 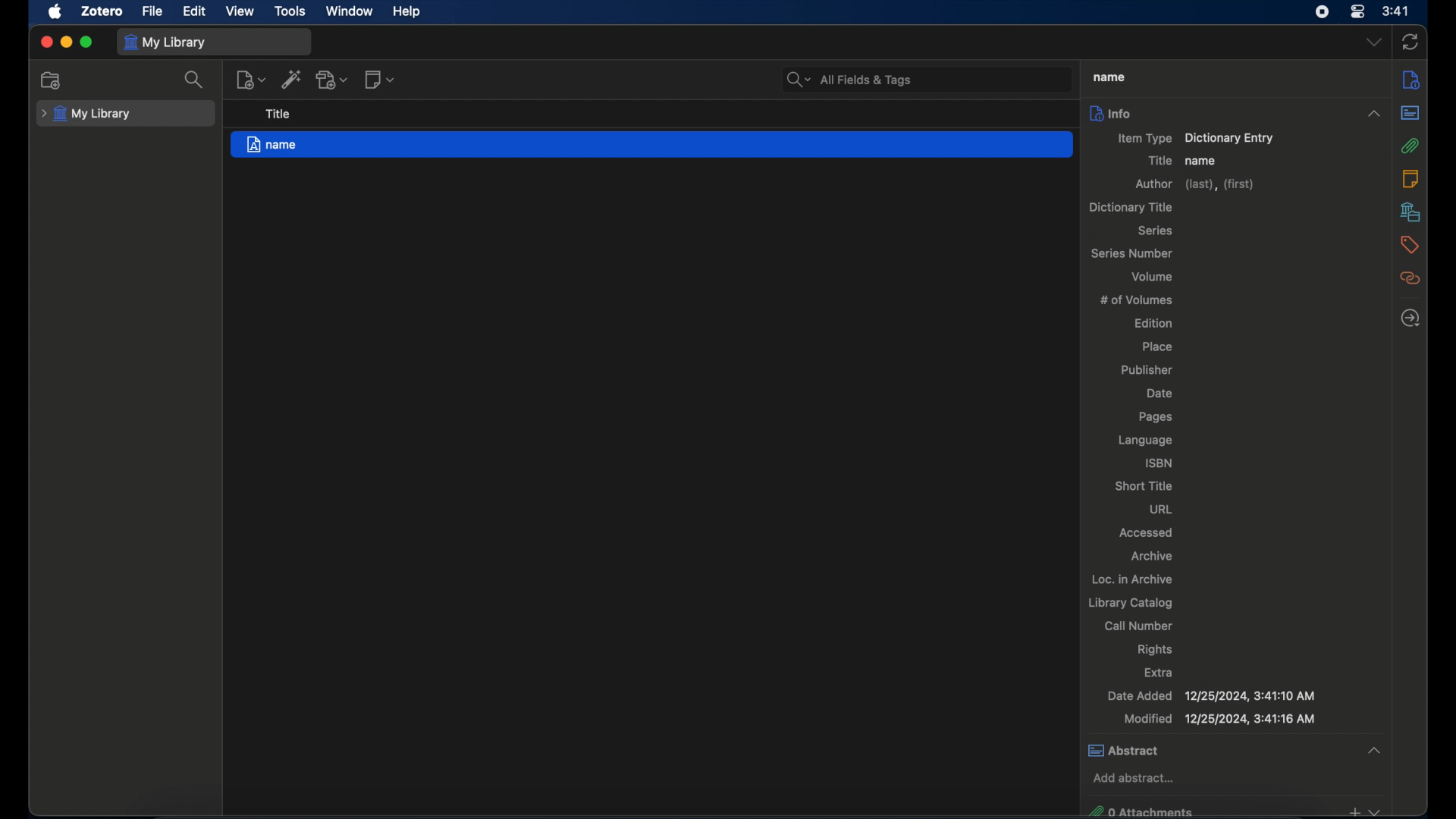 I want to click on no of volumes, so click(x=1137, y=299).